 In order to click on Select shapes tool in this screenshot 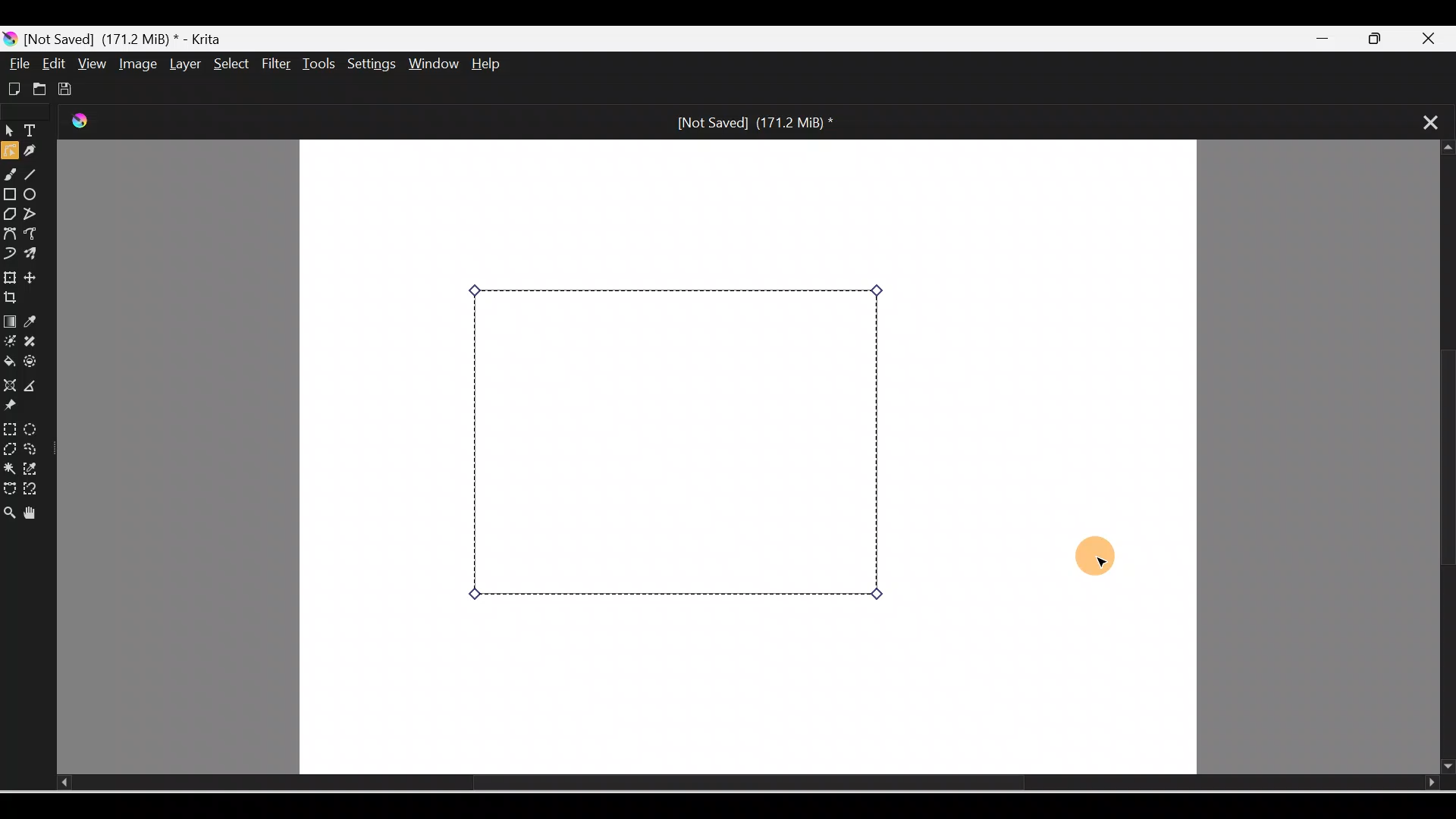, I will do `click(9, 133)`.